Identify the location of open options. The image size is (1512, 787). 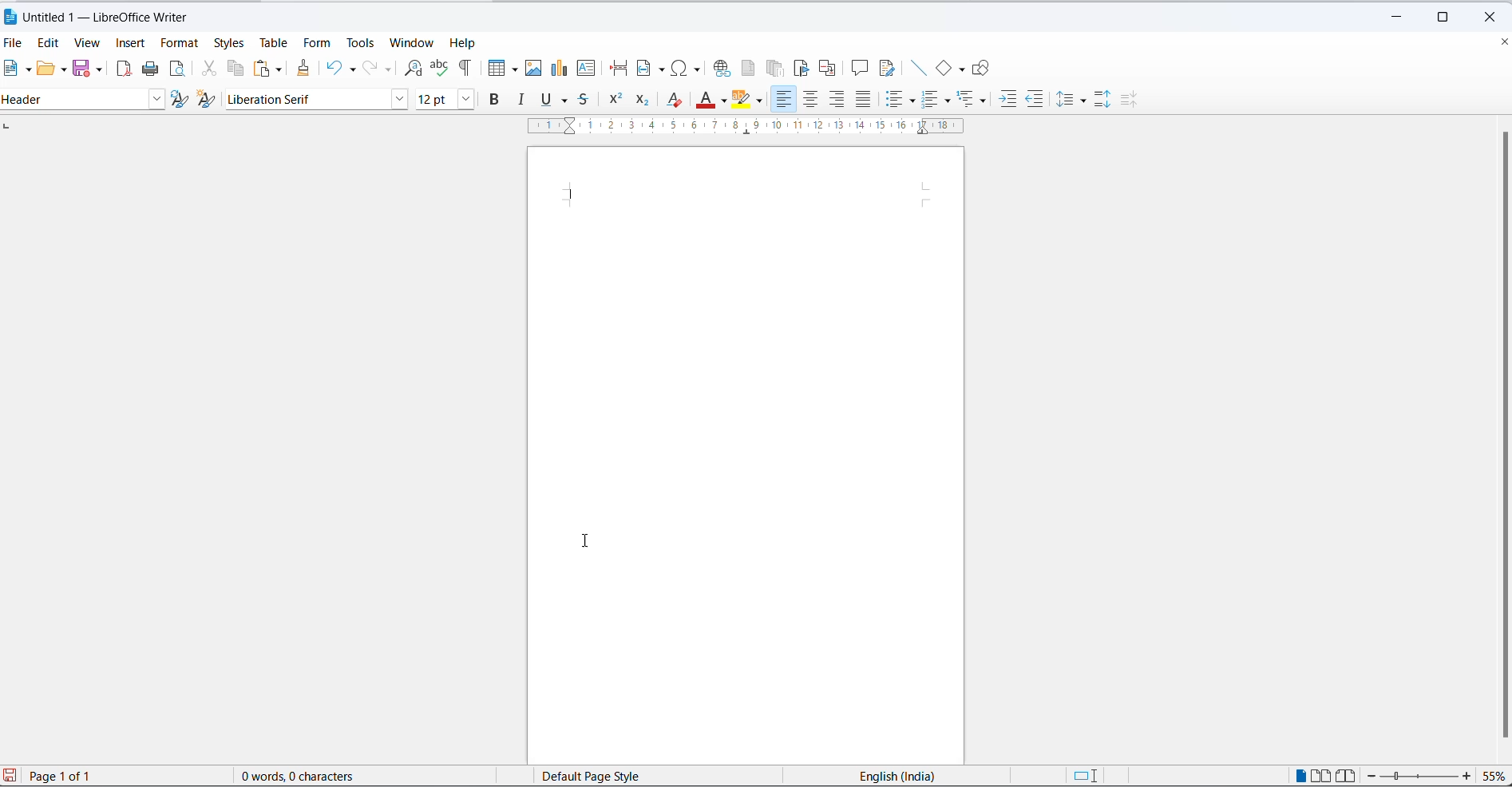
(59, 69).